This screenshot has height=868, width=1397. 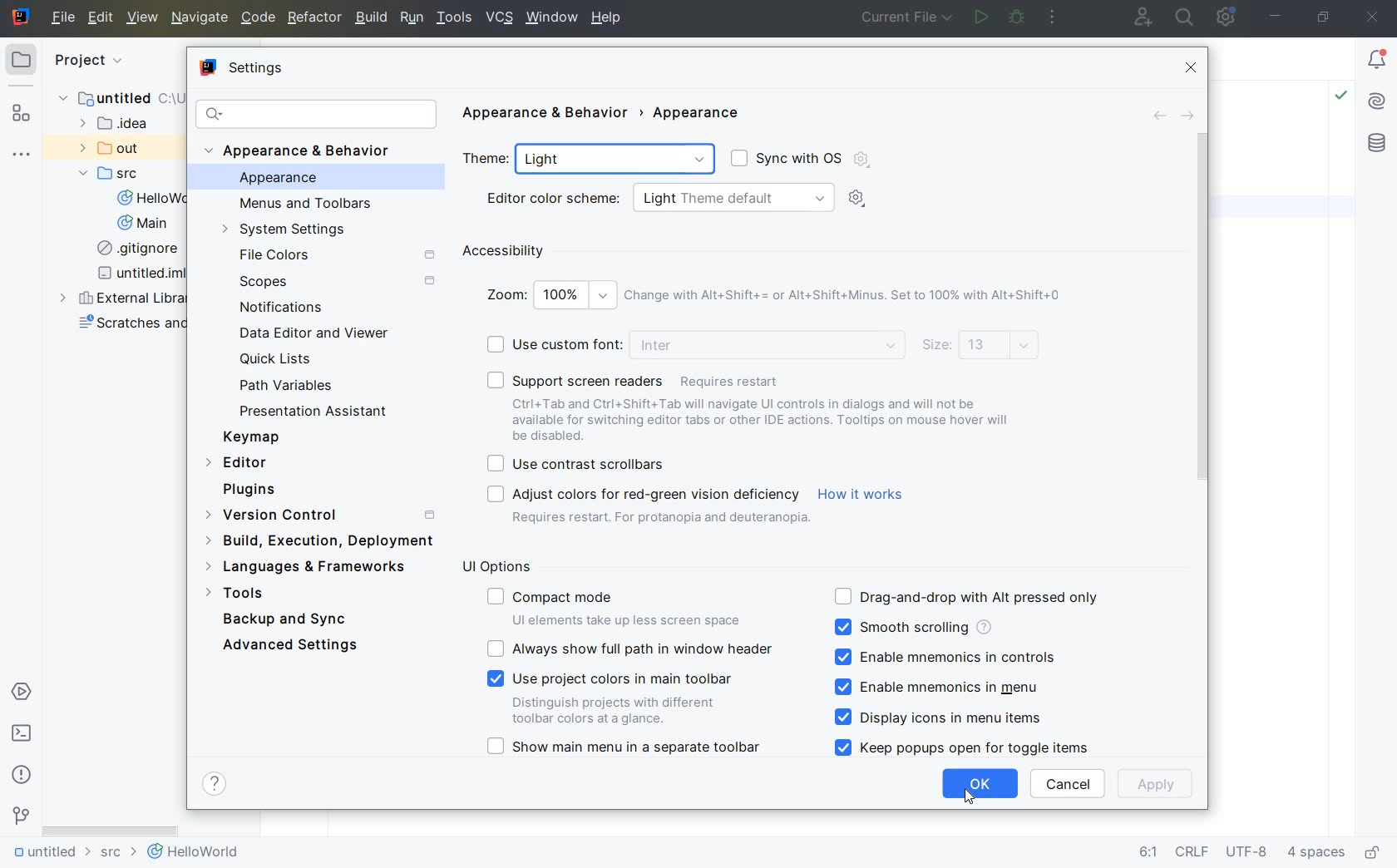 What do you see at coordinates (868, 200) in the screenshot?
I see `Shown scheme options` at bounding box center [868, 200].